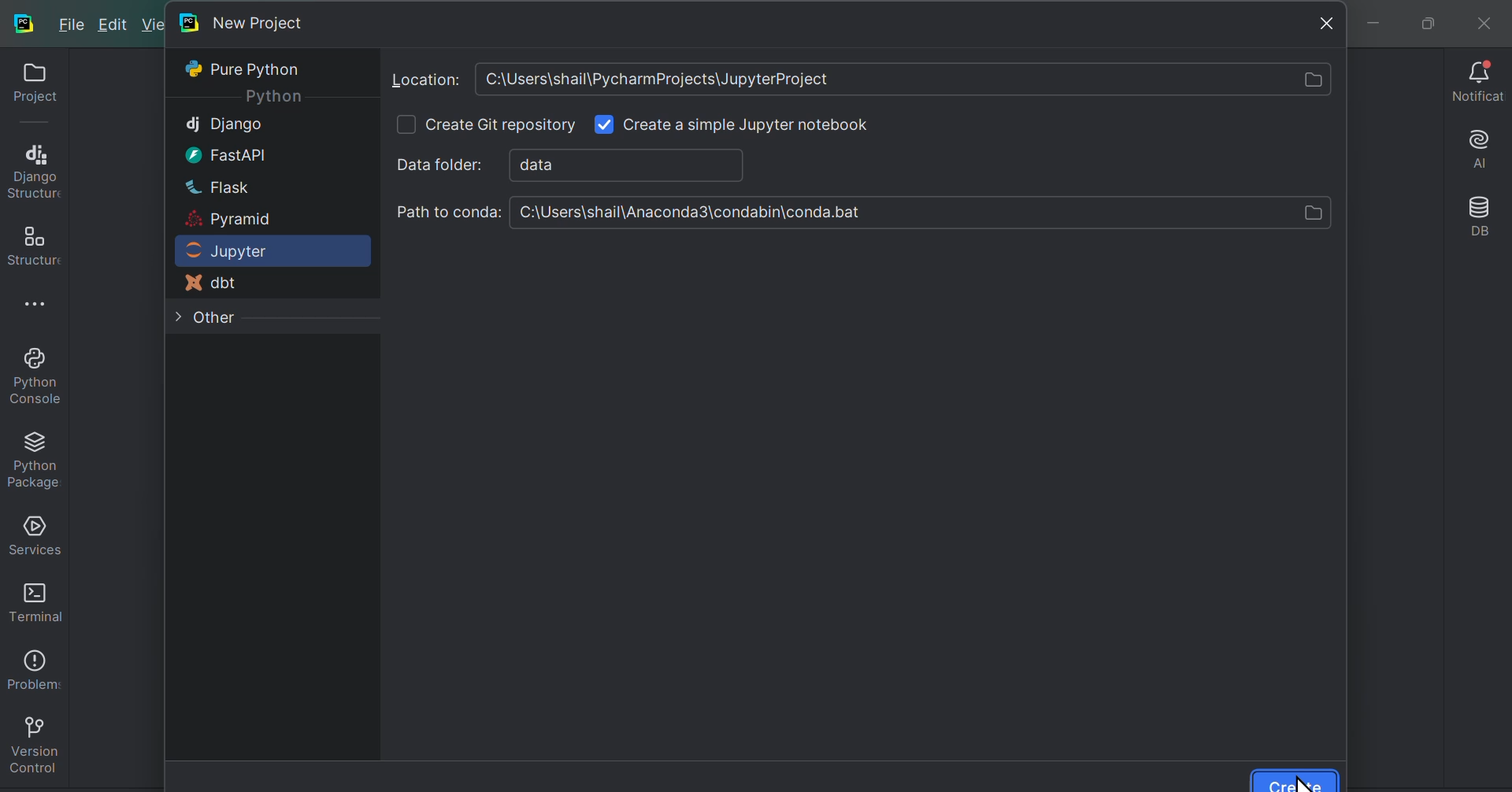  Describe the element at coordinates (25, 21) in the screenshot. I see `py charm` at that location.